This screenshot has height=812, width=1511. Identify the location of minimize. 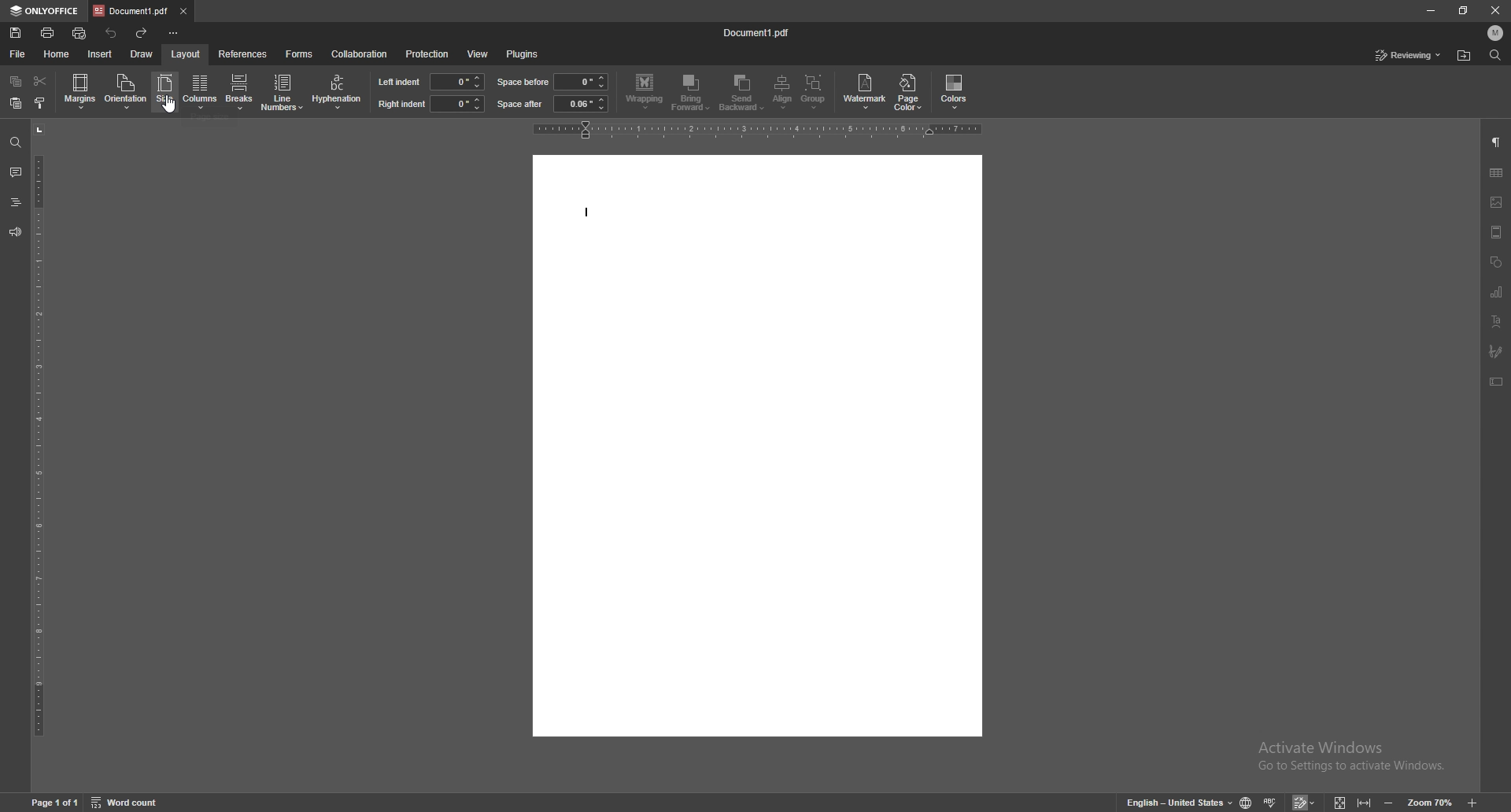
(1430, 10).